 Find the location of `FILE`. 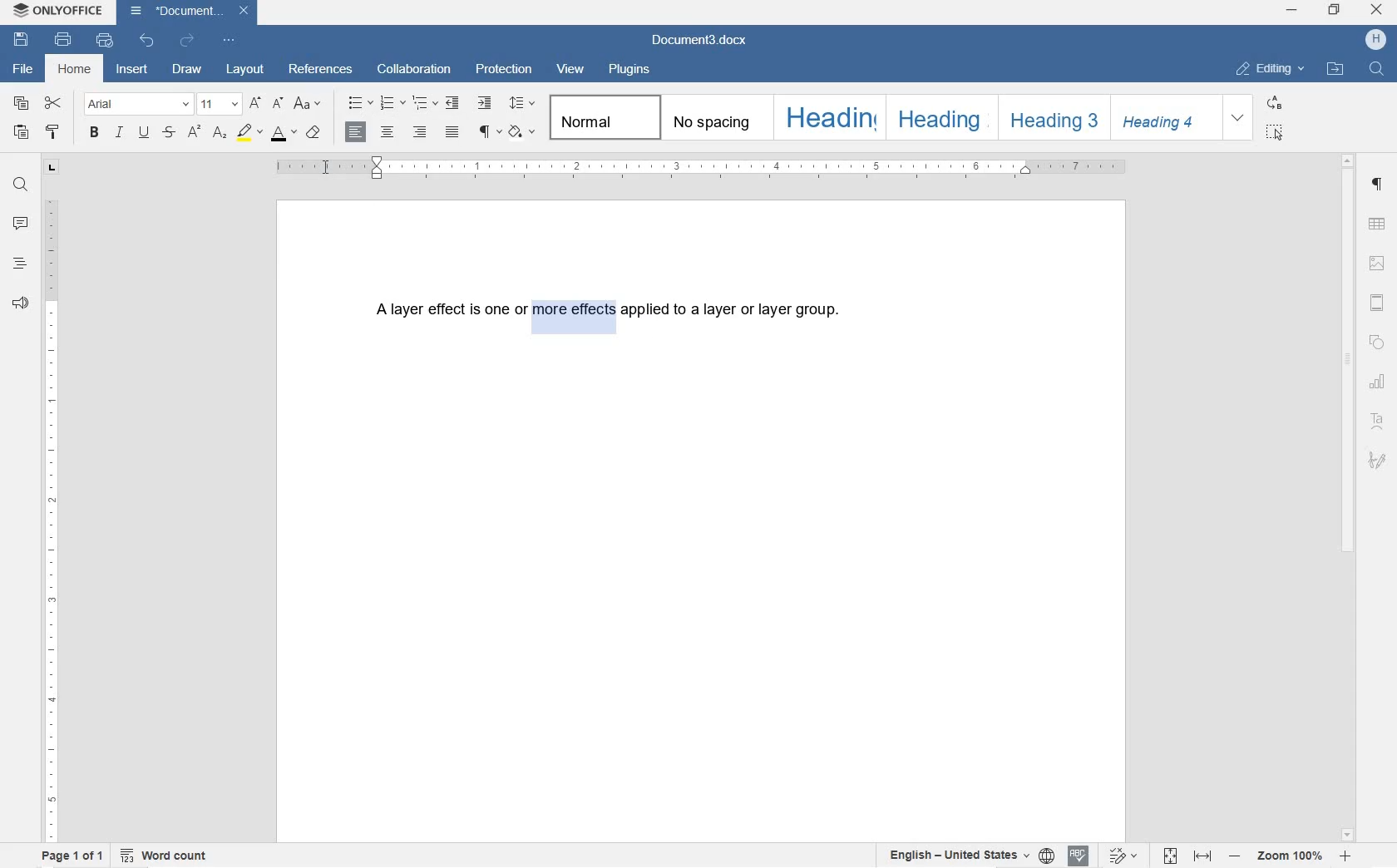

FILE is located at coordinates (25, 69).